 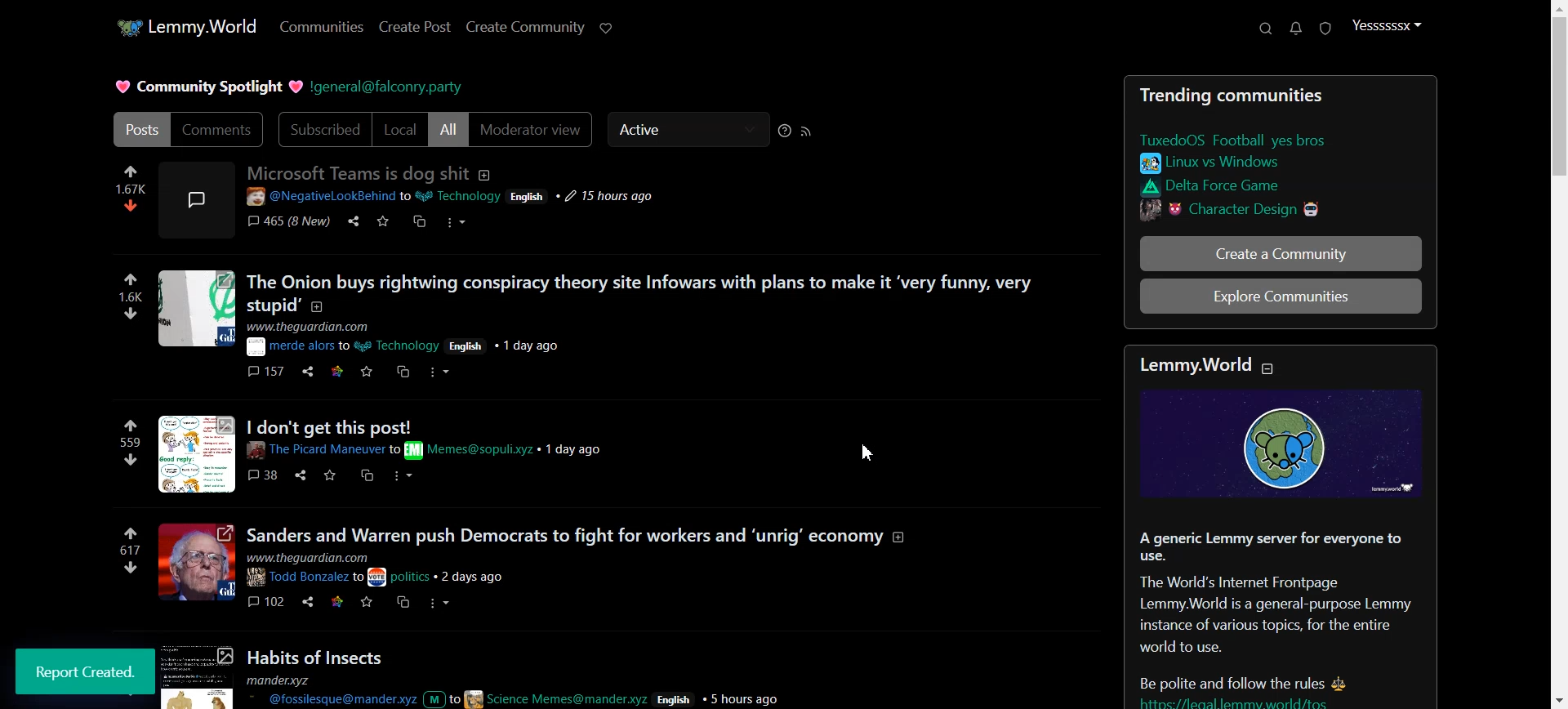 I want to click on image, so click(x=196, y=310).